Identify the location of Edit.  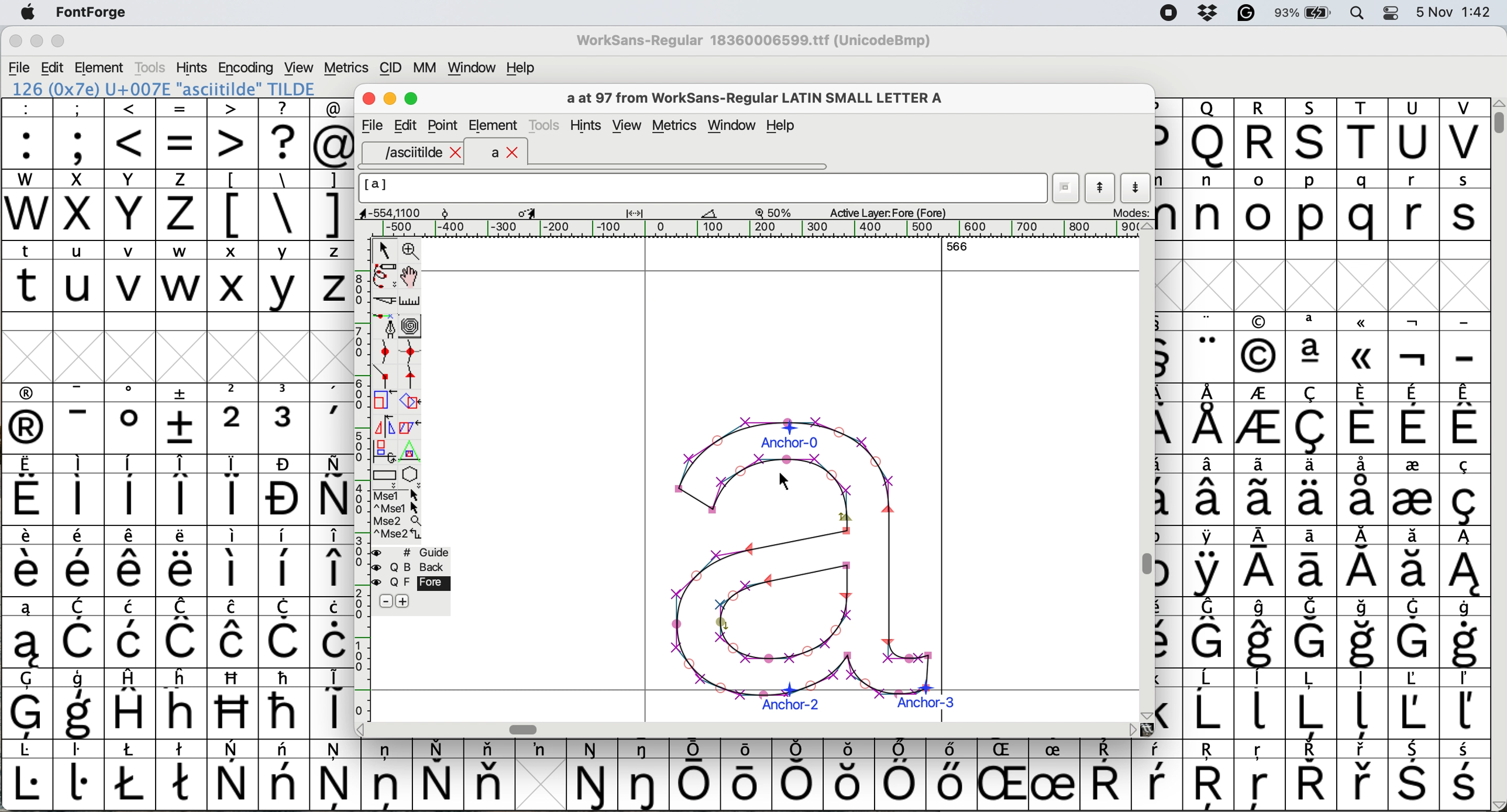
(405, 125).